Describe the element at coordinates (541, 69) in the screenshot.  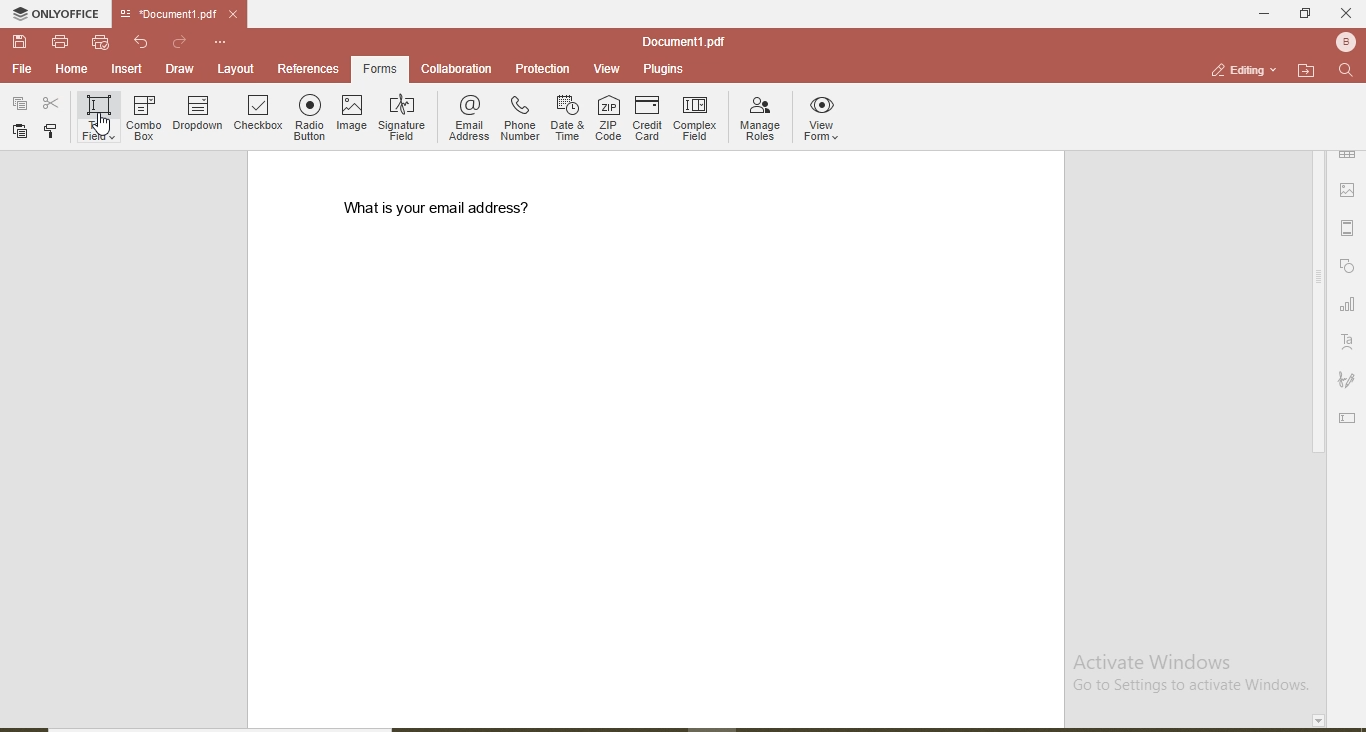
I see `protection` at that location.